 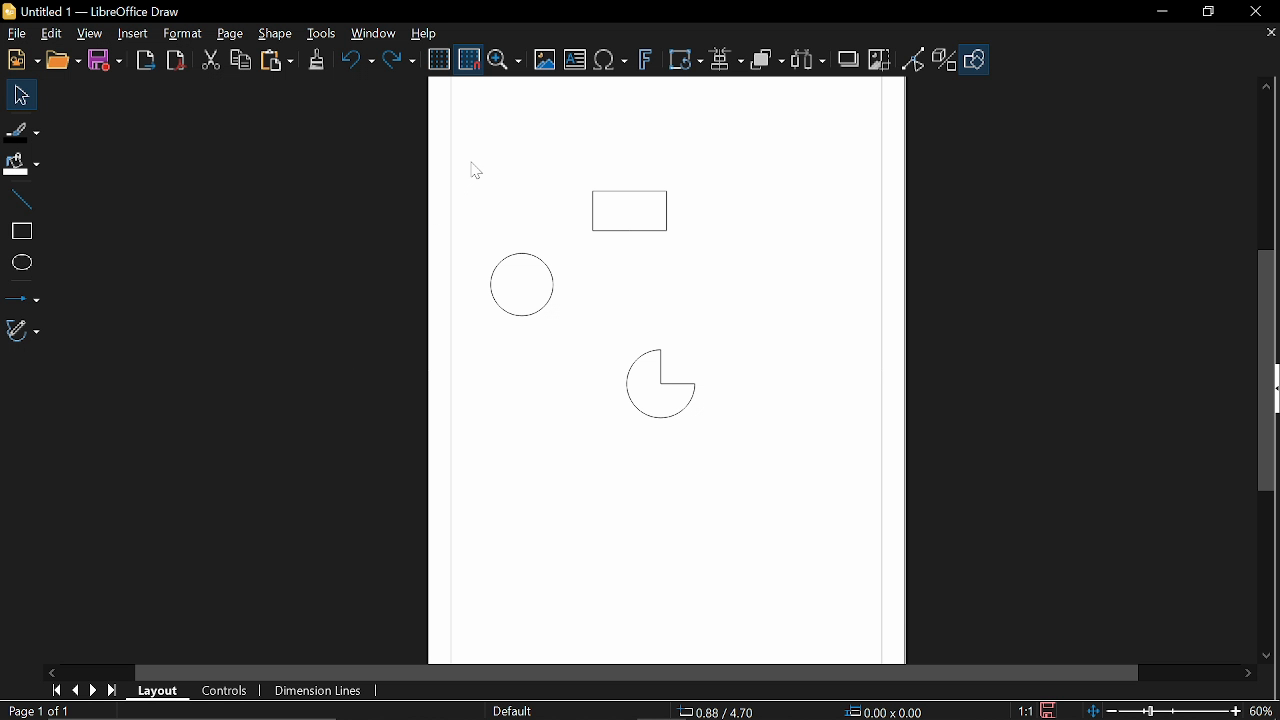 What do you see at coordinates (642, 62) in the screenshot?
I see `Insert fontwork` at bounding box center [642, 62].